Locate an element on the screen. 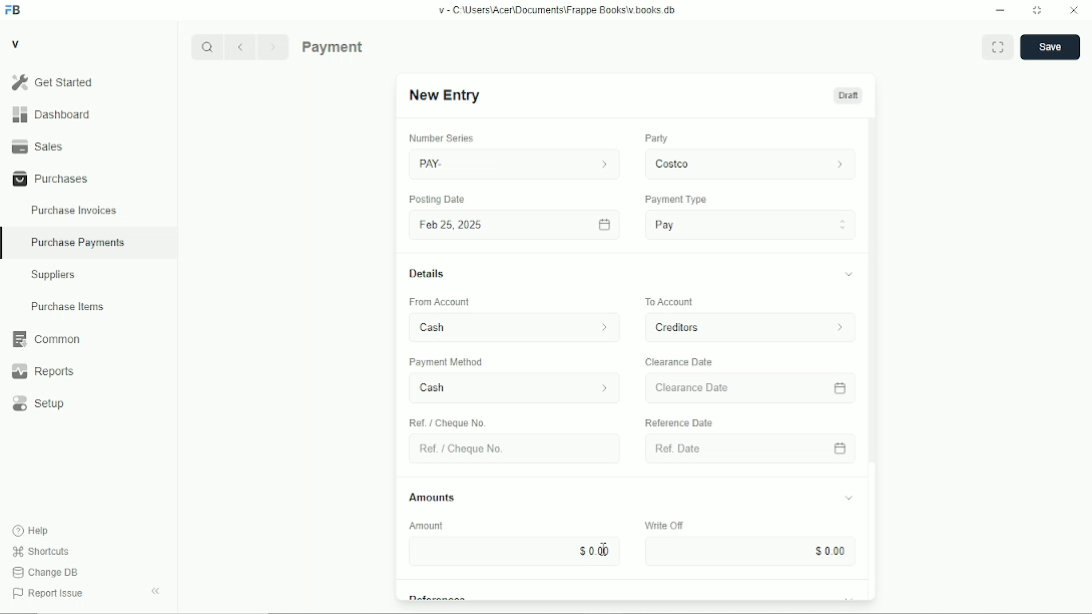  Amount is located at coordinates (435, 526).